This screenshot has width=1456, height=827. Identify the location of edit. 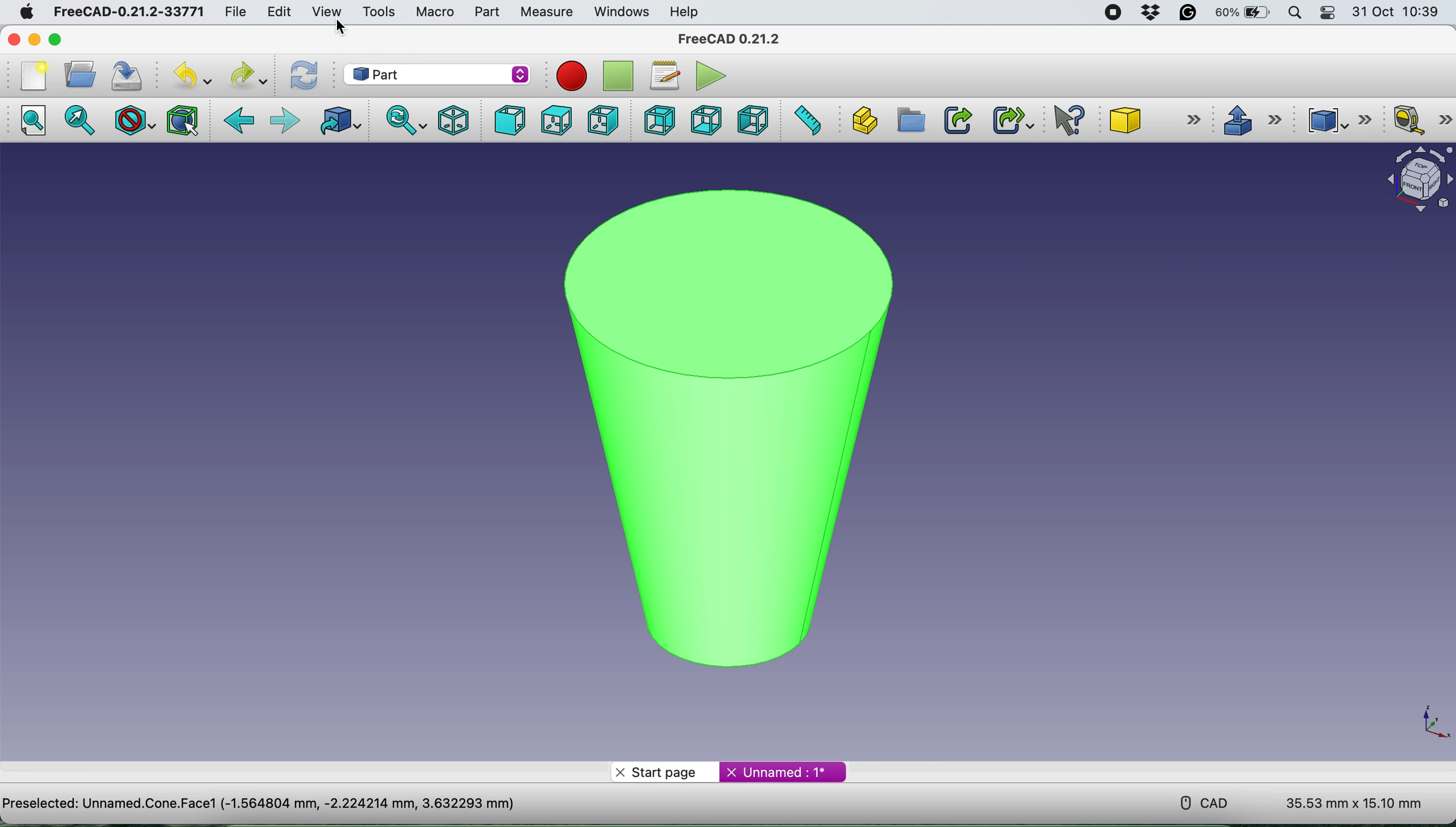
(278, 11).